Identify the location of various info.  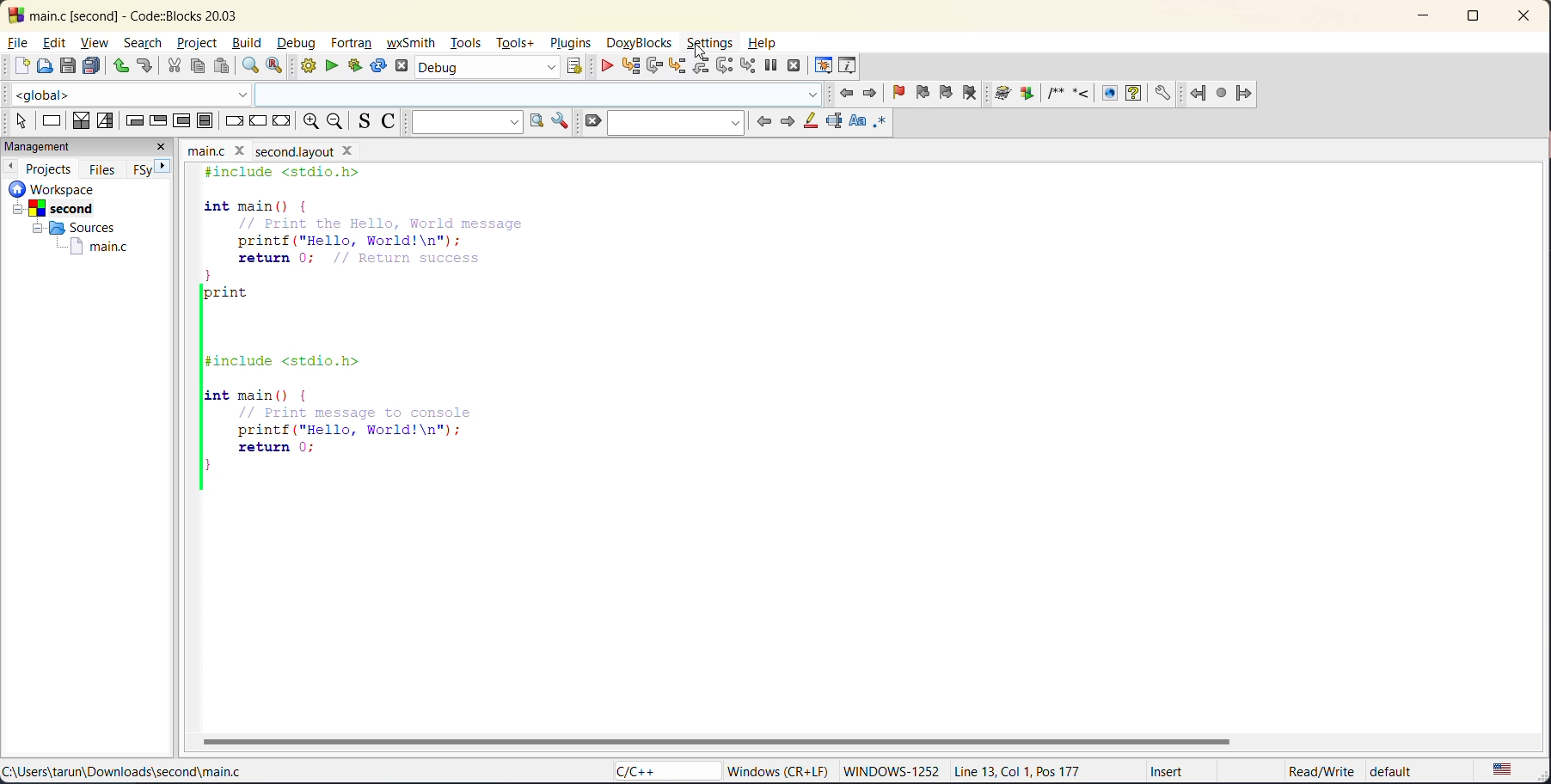
(848, 64).